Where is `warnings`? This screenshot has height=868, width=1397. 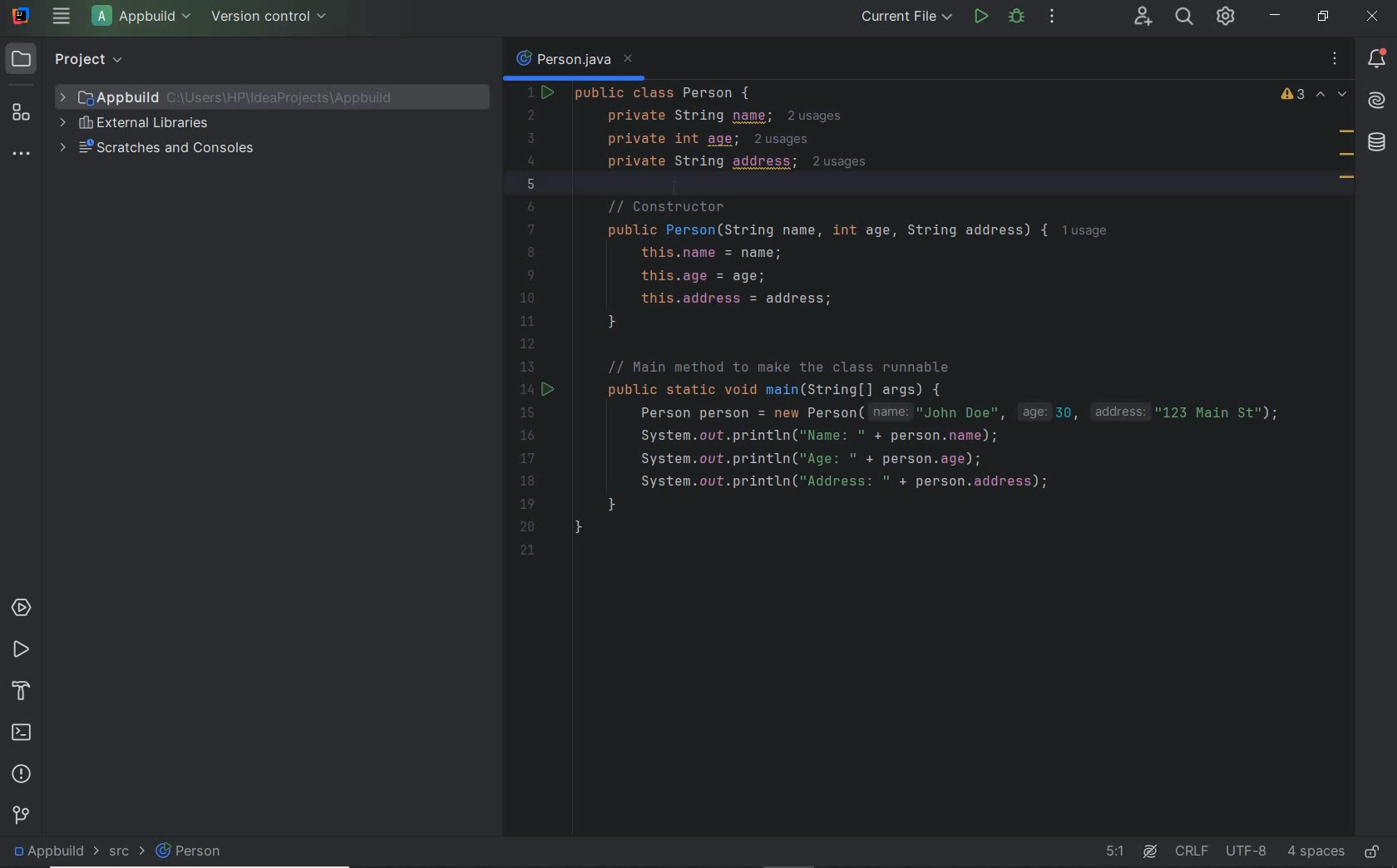 warnings is located at coordinates (1293, 96).